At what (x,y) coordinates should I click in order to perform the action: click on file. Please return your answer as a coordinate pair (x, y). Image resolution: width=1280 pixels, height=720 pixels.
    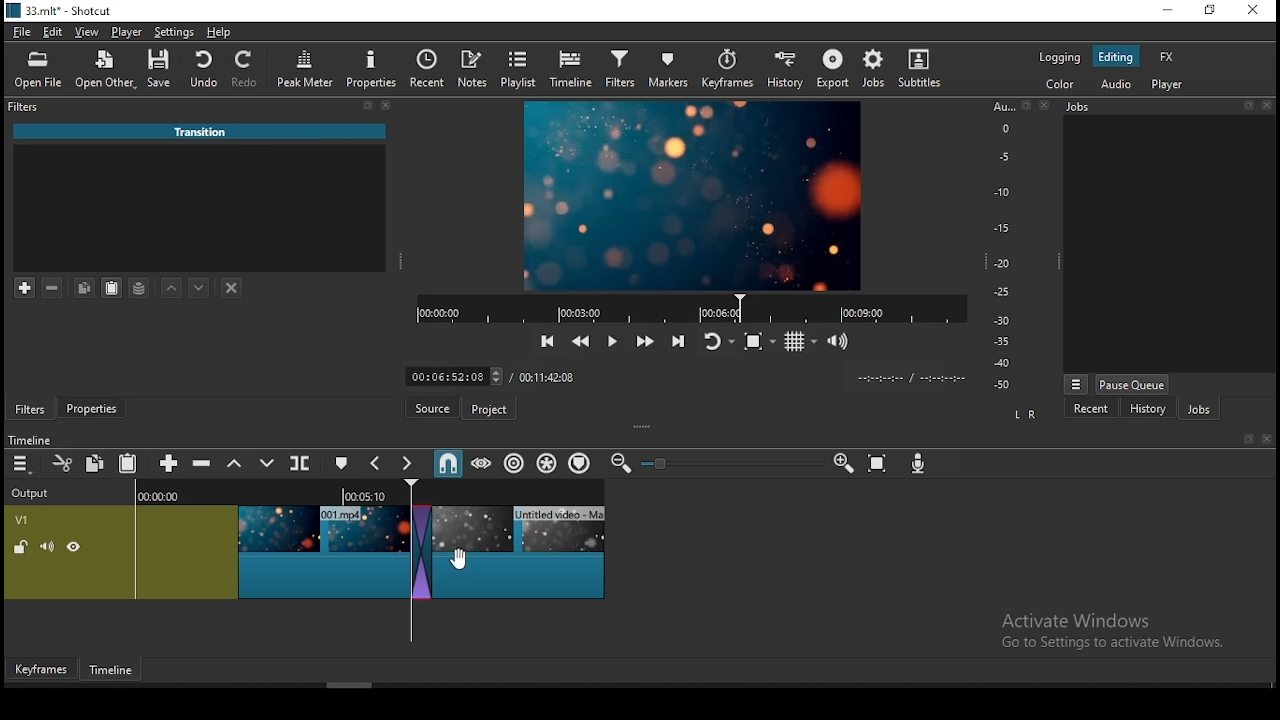
    Looking at the image, I should click on (23, 32).